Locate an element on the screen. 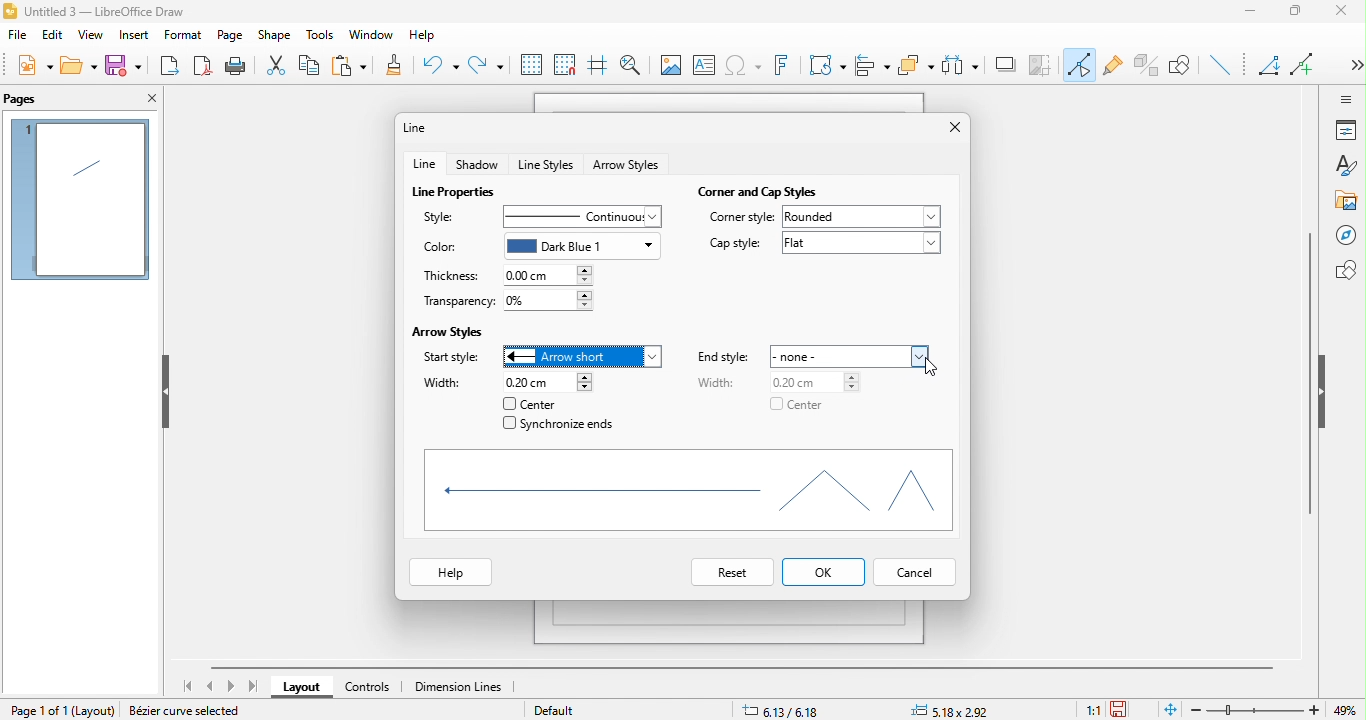 The width and height of the screenshot is (1366, 720). crop image is located at coordinates (1043, 63).